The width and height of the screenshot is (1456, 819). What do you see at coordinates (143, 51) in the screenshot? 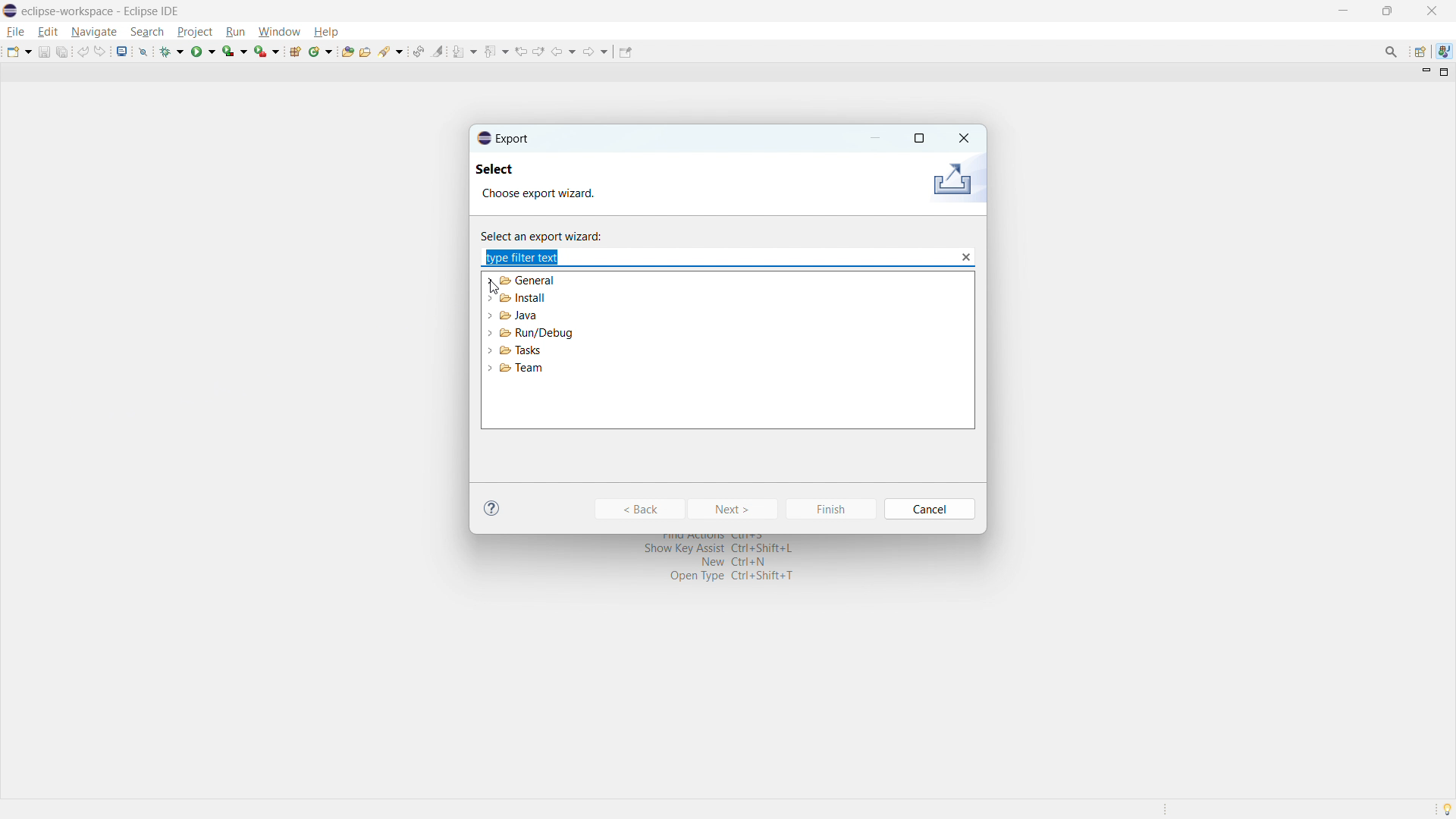
I see `skip all breakpoints` at bounding box center [143, 51].